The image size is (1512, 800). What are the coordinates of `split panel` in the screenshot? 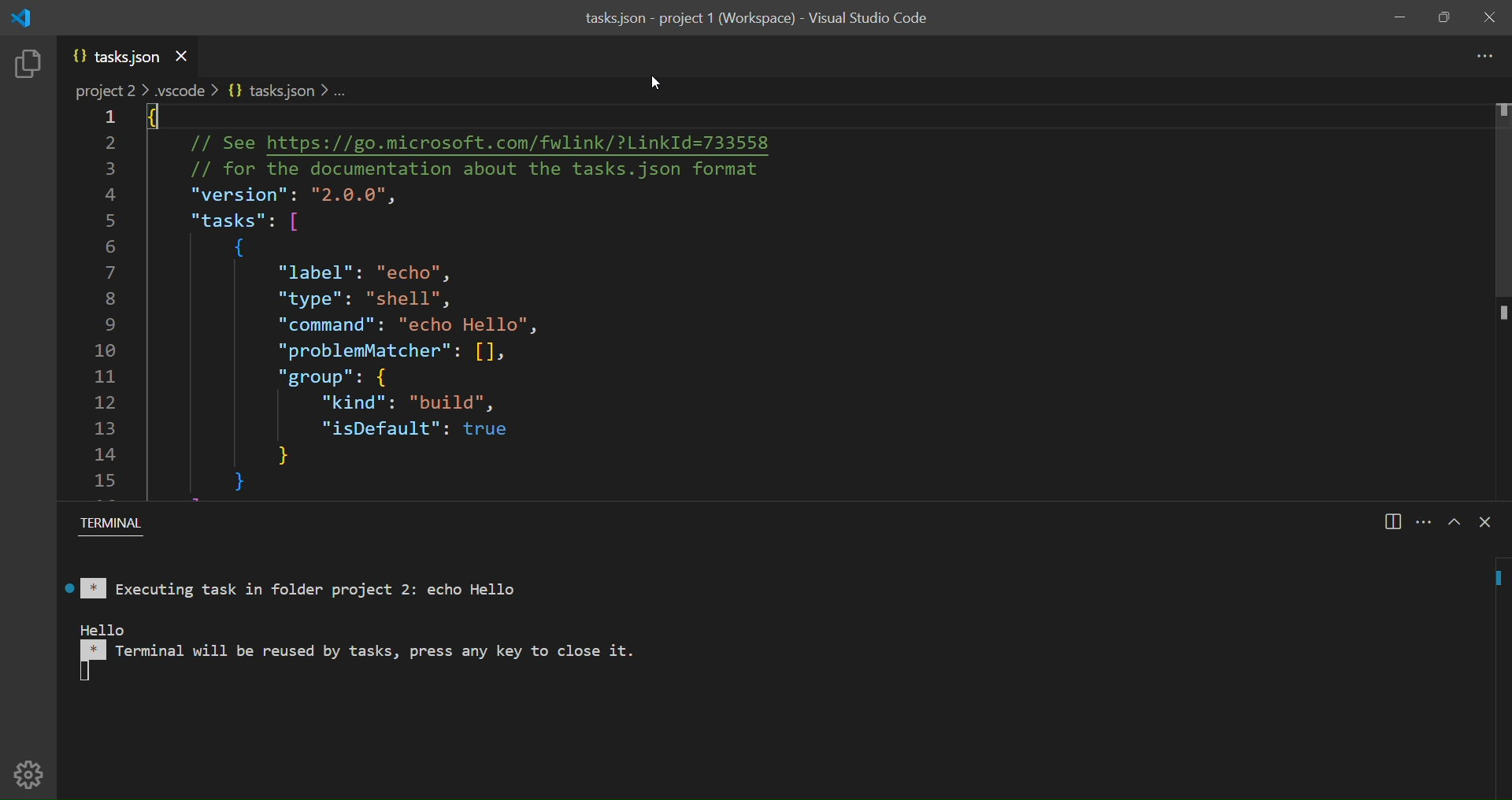 It's located at (1388, 521).